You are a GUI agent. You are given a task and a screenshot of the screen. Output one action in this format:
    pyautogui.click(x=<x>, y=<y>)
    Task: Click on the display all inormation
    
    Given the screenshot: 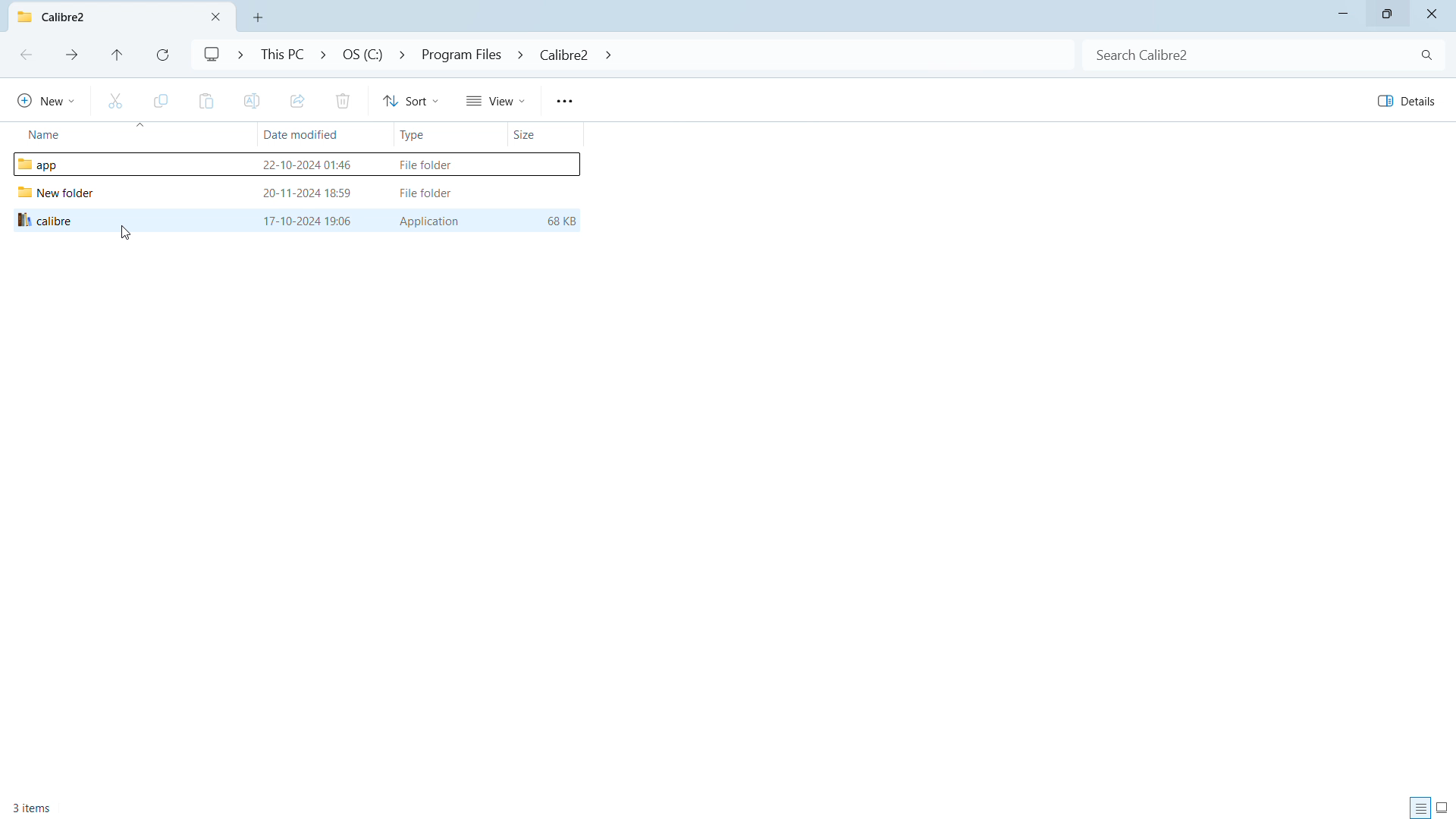 What is the action you would take?
    pyautogui.click(x=1420, y=808)
    